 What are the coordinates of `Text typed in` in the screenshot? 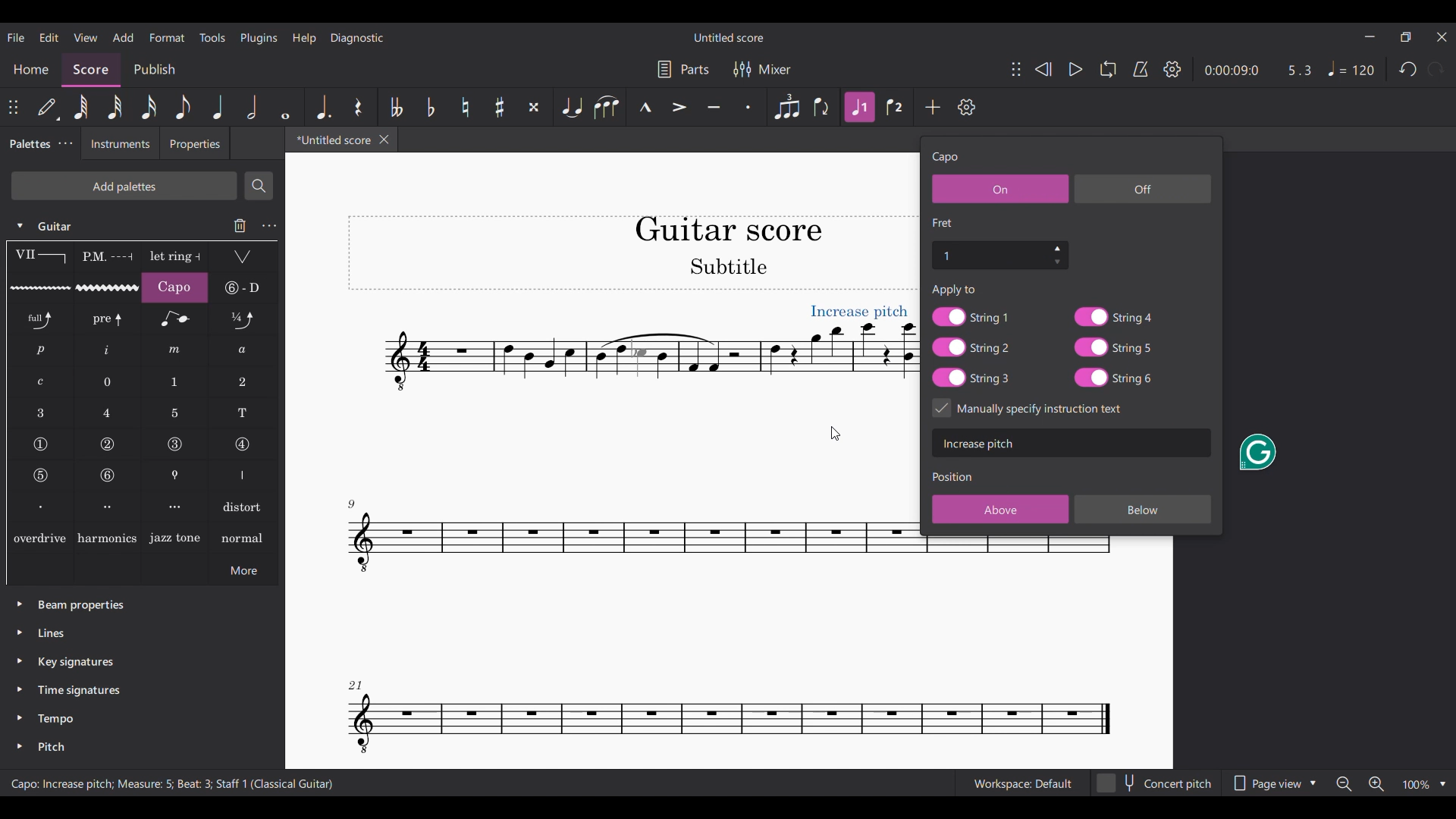 It's located at (978, 444).